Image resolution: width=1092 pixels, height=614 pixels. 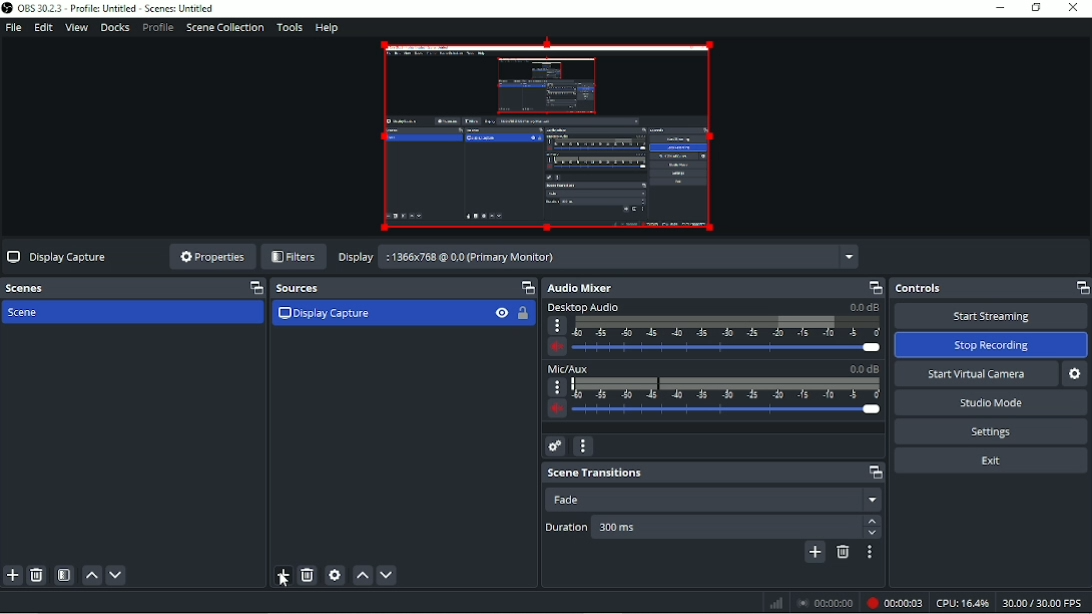 What do you see at coordinates (44, 27) in the screenshot?
I see `Edit` at bounding box center [44, 27].